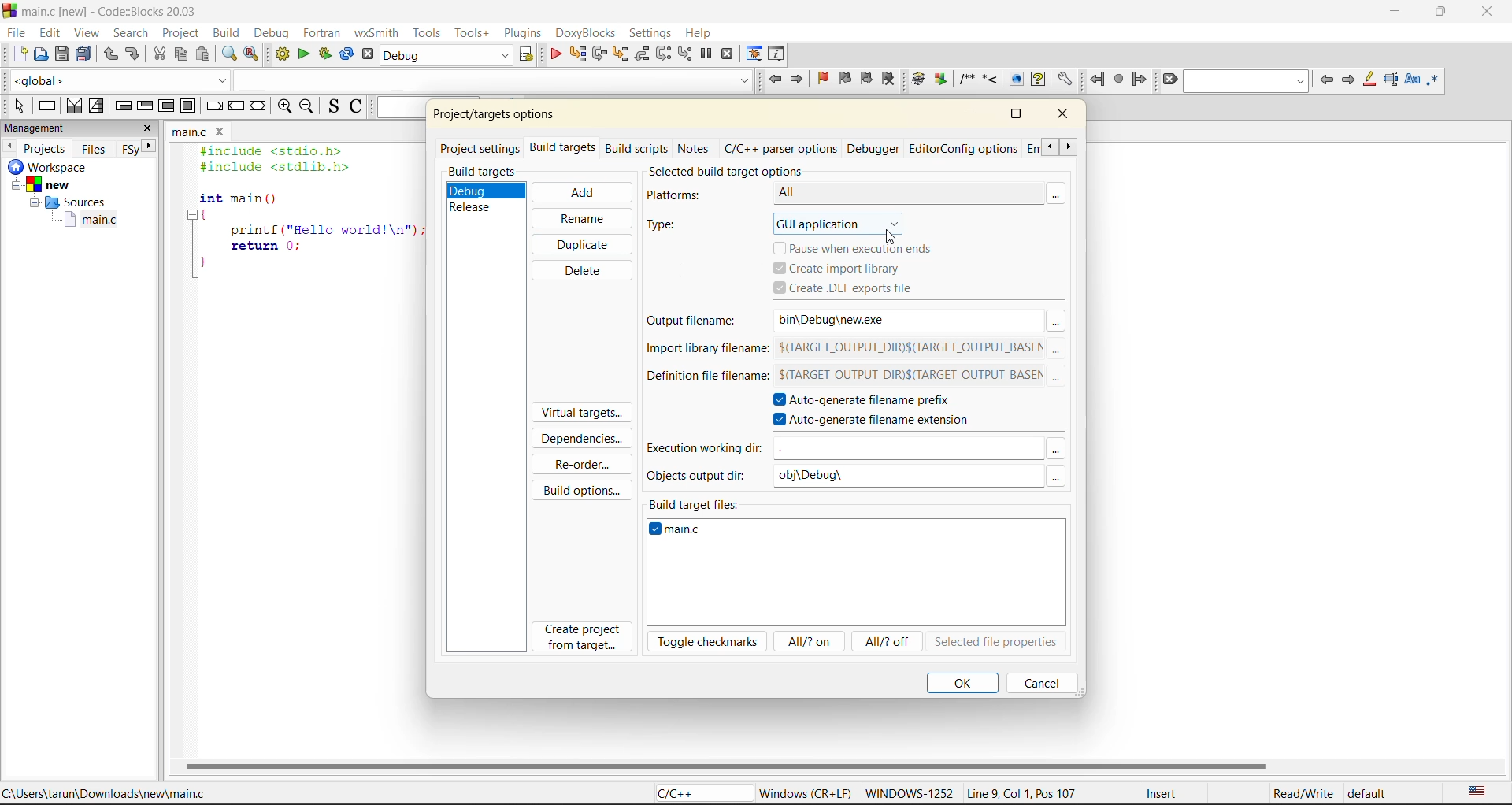  What do you see at coordinates (223, 132) in the screenshot?
I see `Close` at bounding box center [223, 132].